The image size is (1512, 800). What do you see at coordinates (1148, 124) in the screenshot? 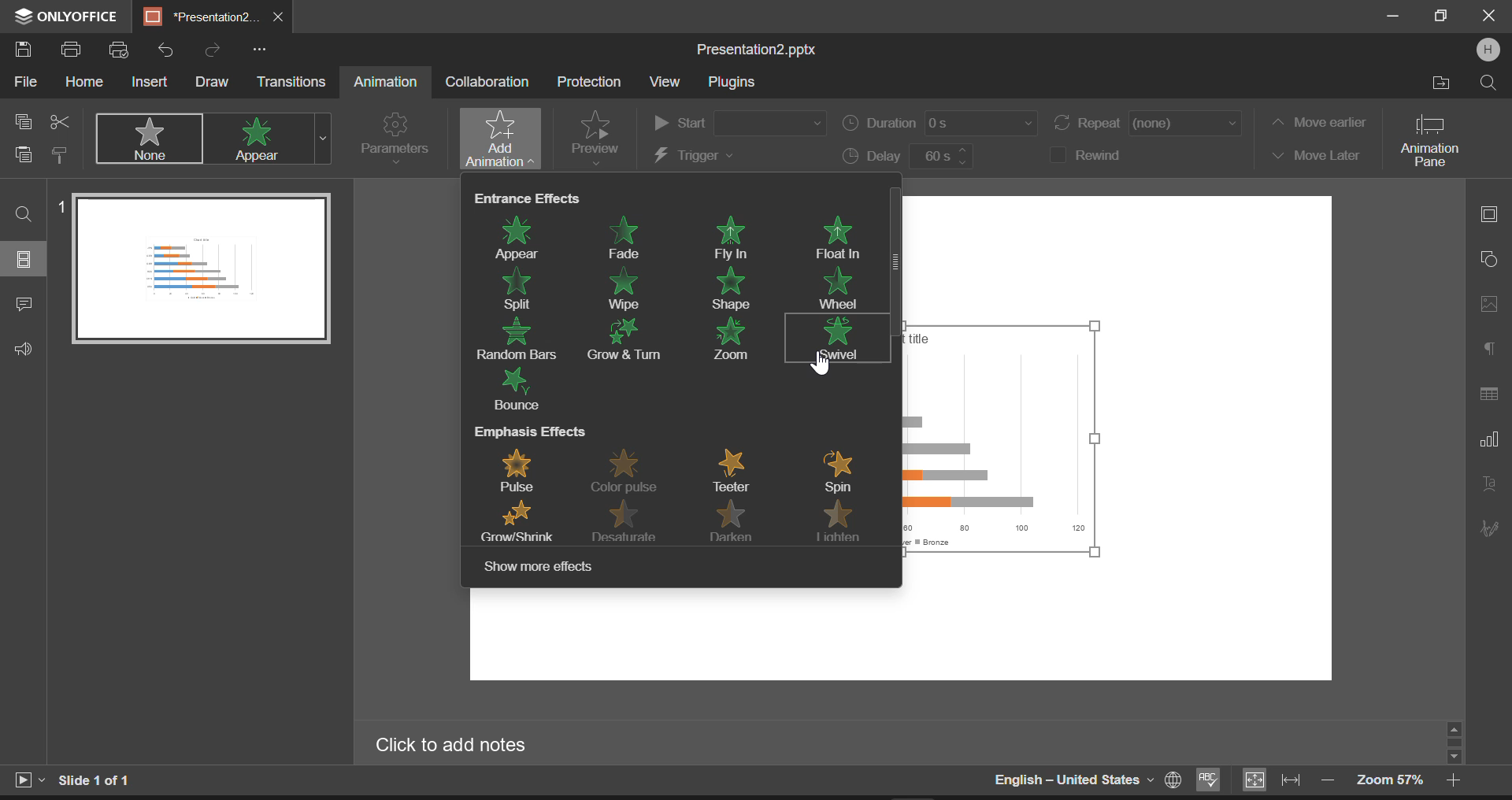
I see `Repeat` at bounding box center [1148, 124].